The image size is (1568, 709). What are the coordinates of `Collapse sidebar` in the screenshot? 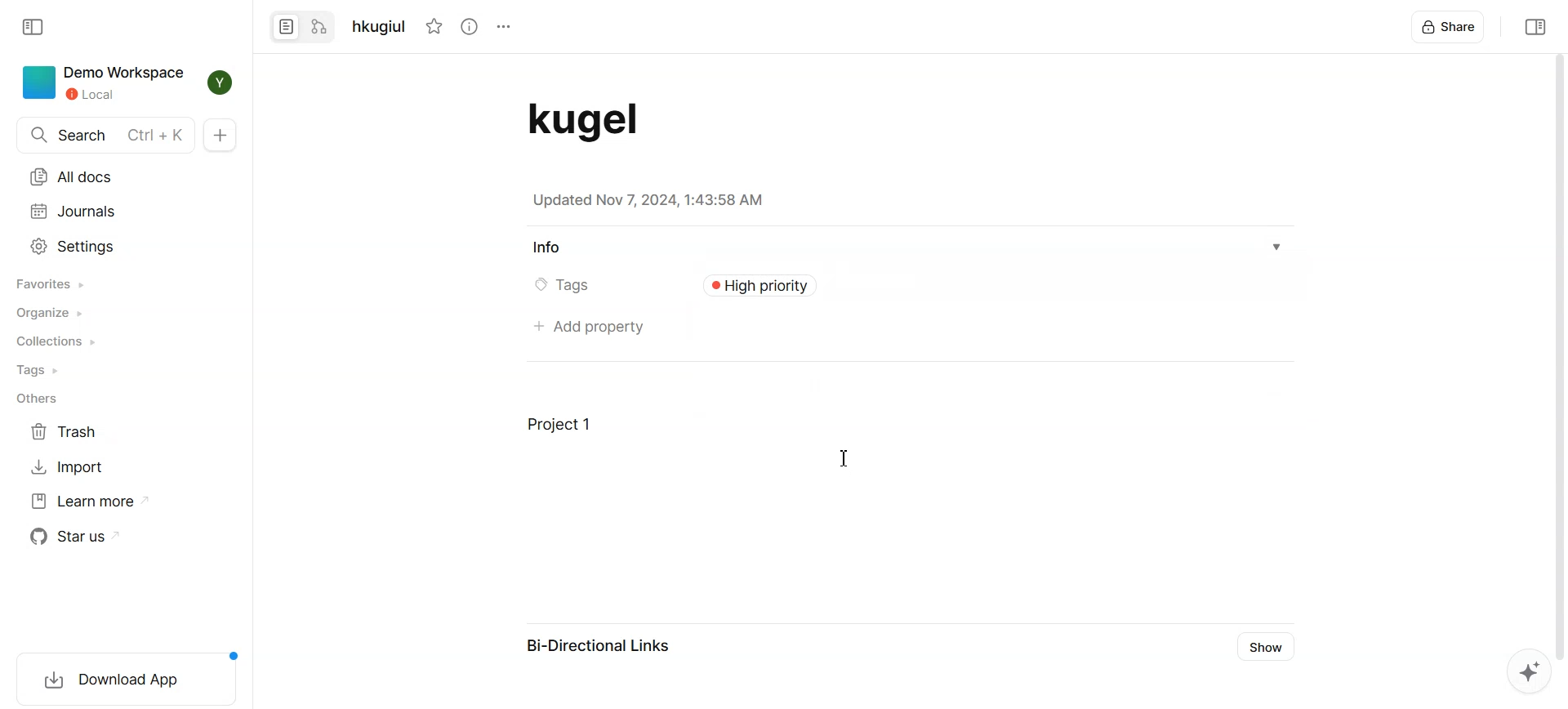 It's located at (1535, 27).